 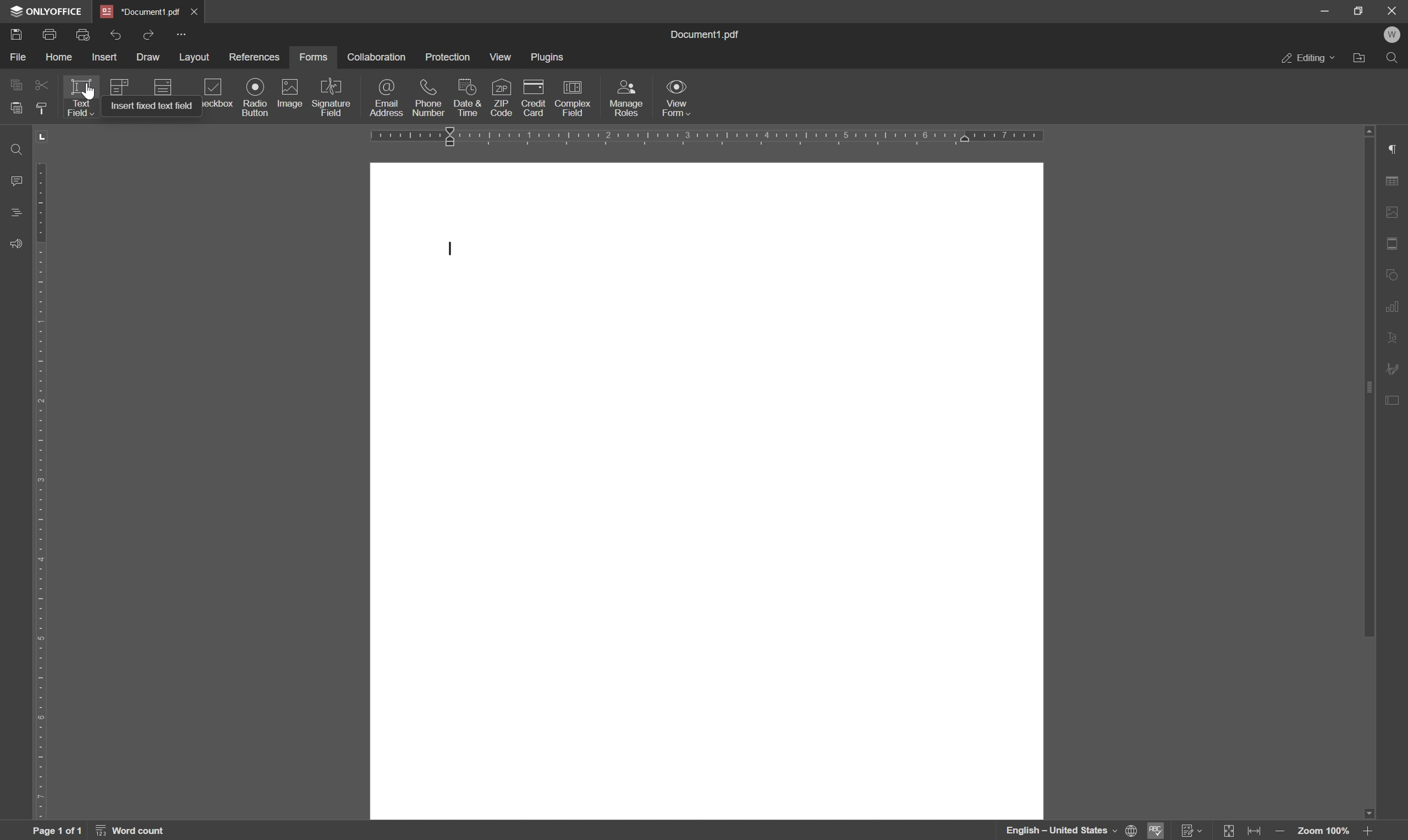 What do you see at coordinates (1308, 59) in the screenshot?
I see `editing` at bounding box center [1308, 59].